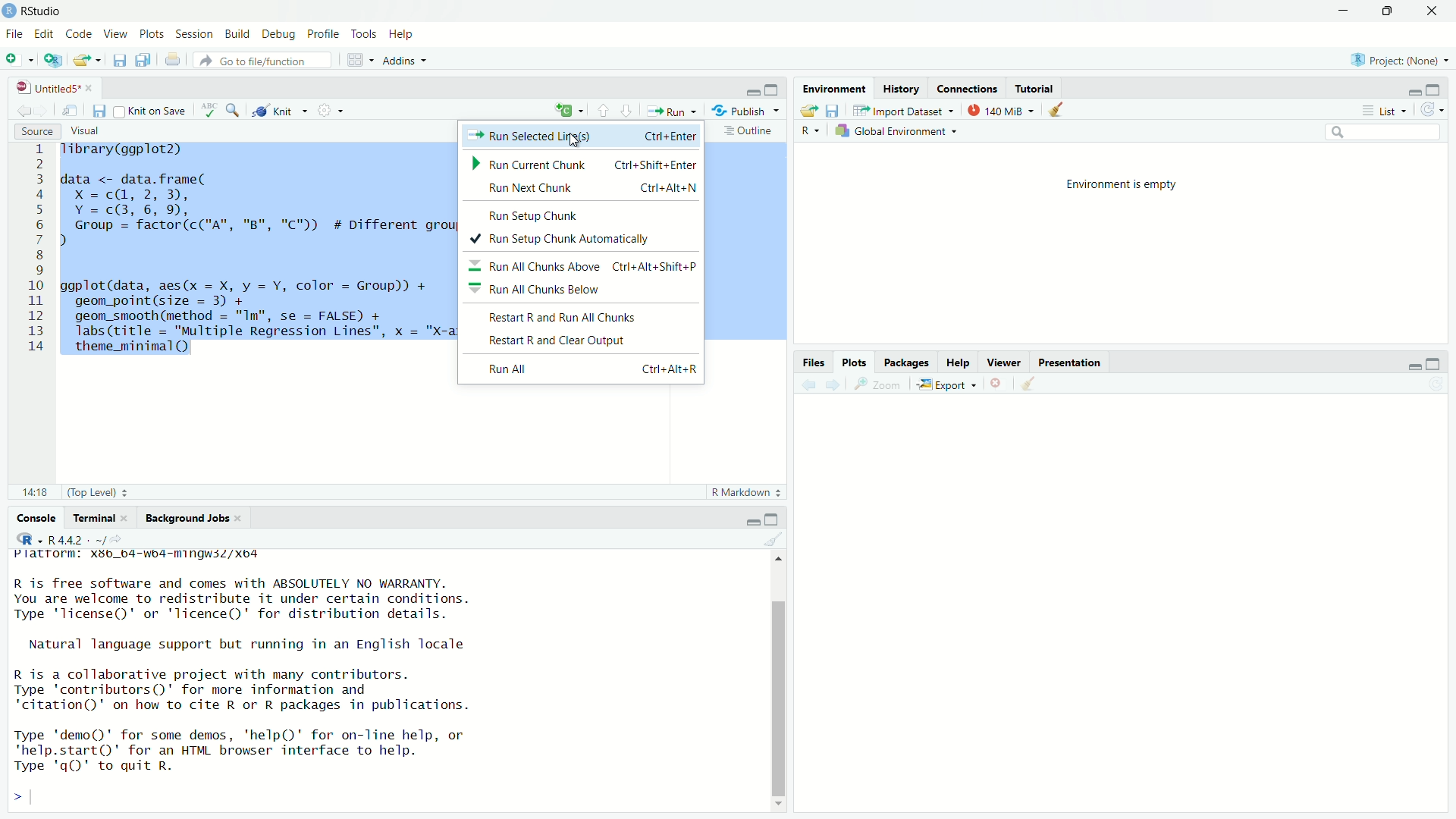 The height and width of the screenshot is (819, 1456). Describe the element at coordinates (17, 34) in the screenshot. I see `File` at that location.